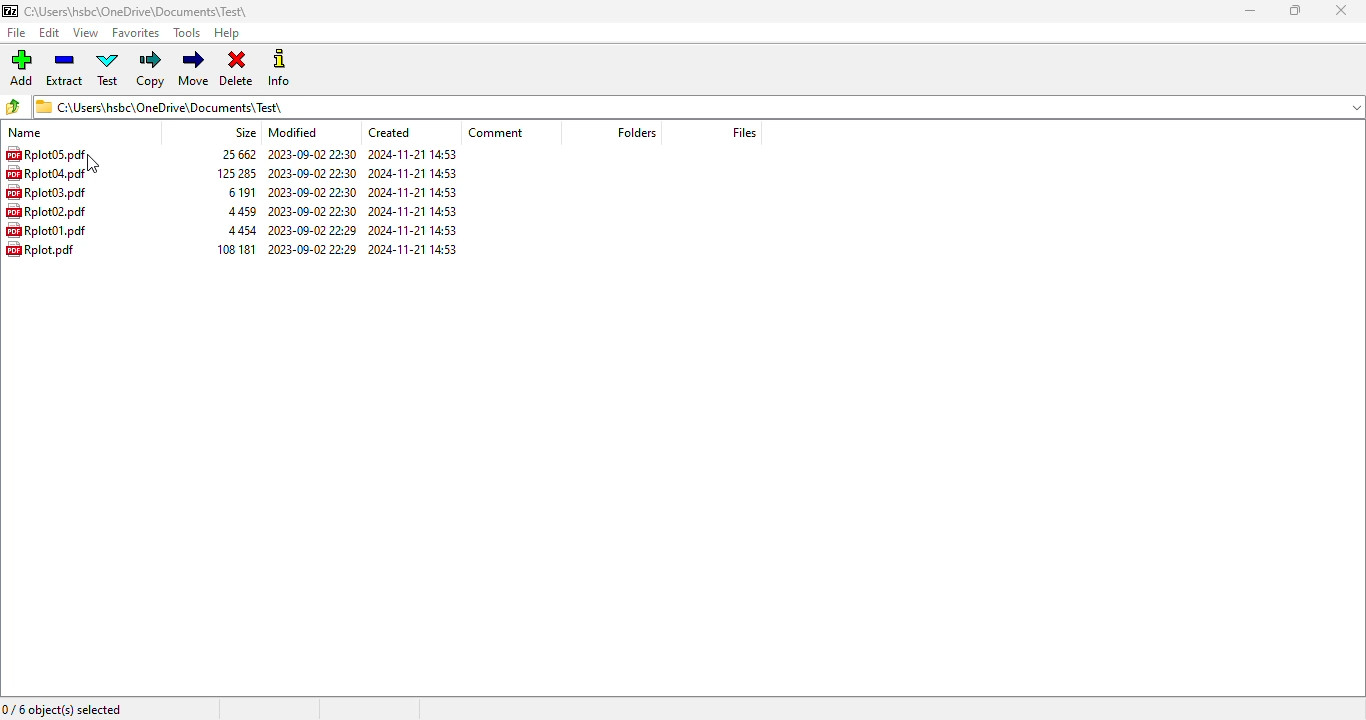 The width and height of the screenshot is (1366, 720). What do you see at coordinates (313, 230) in the screenshot?
I see `modified date & time` at bounding box center [313, 230].